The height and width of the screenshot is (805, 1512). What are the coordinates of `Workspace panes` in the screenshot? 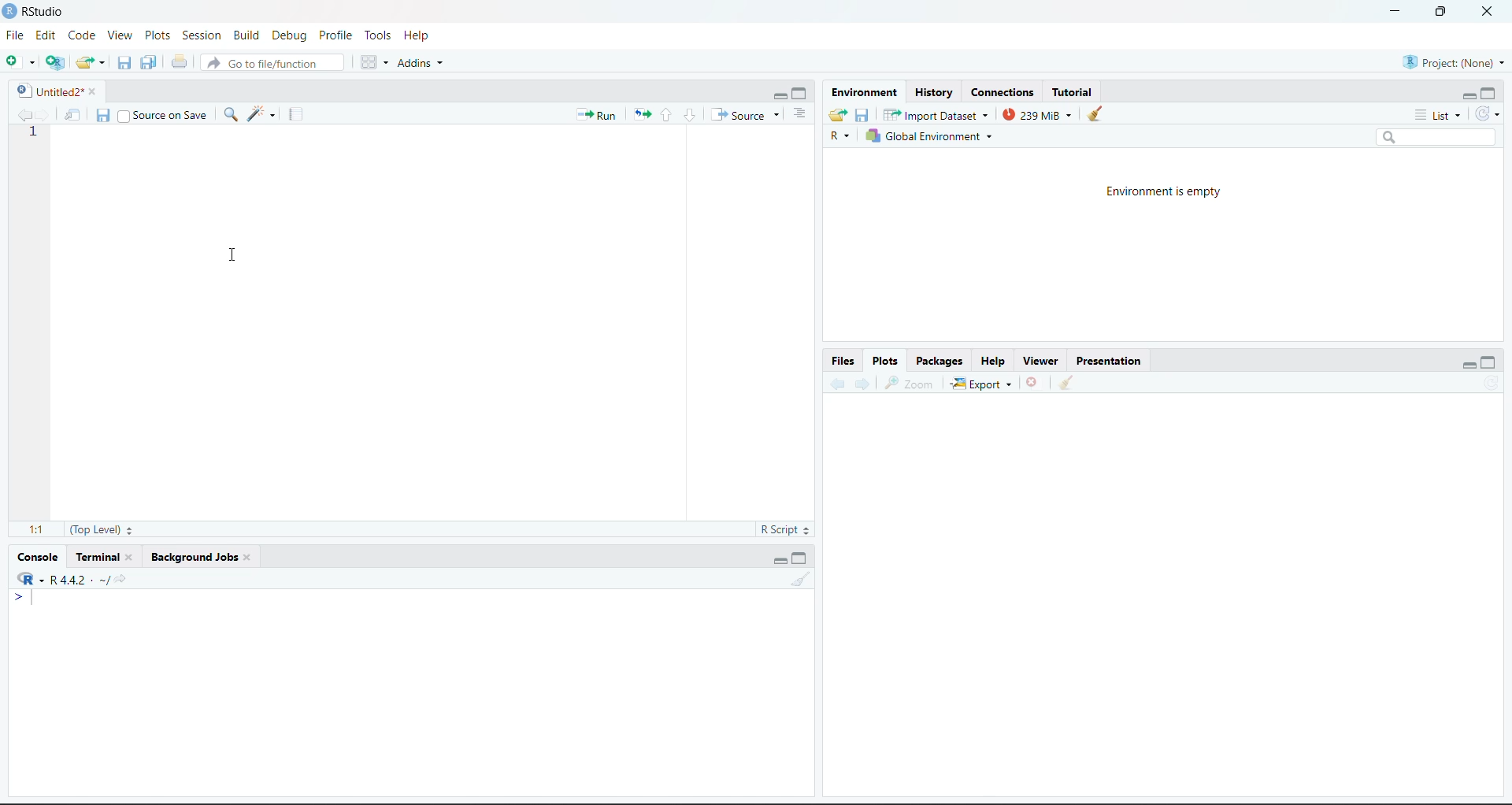 It's located at (370, 61).